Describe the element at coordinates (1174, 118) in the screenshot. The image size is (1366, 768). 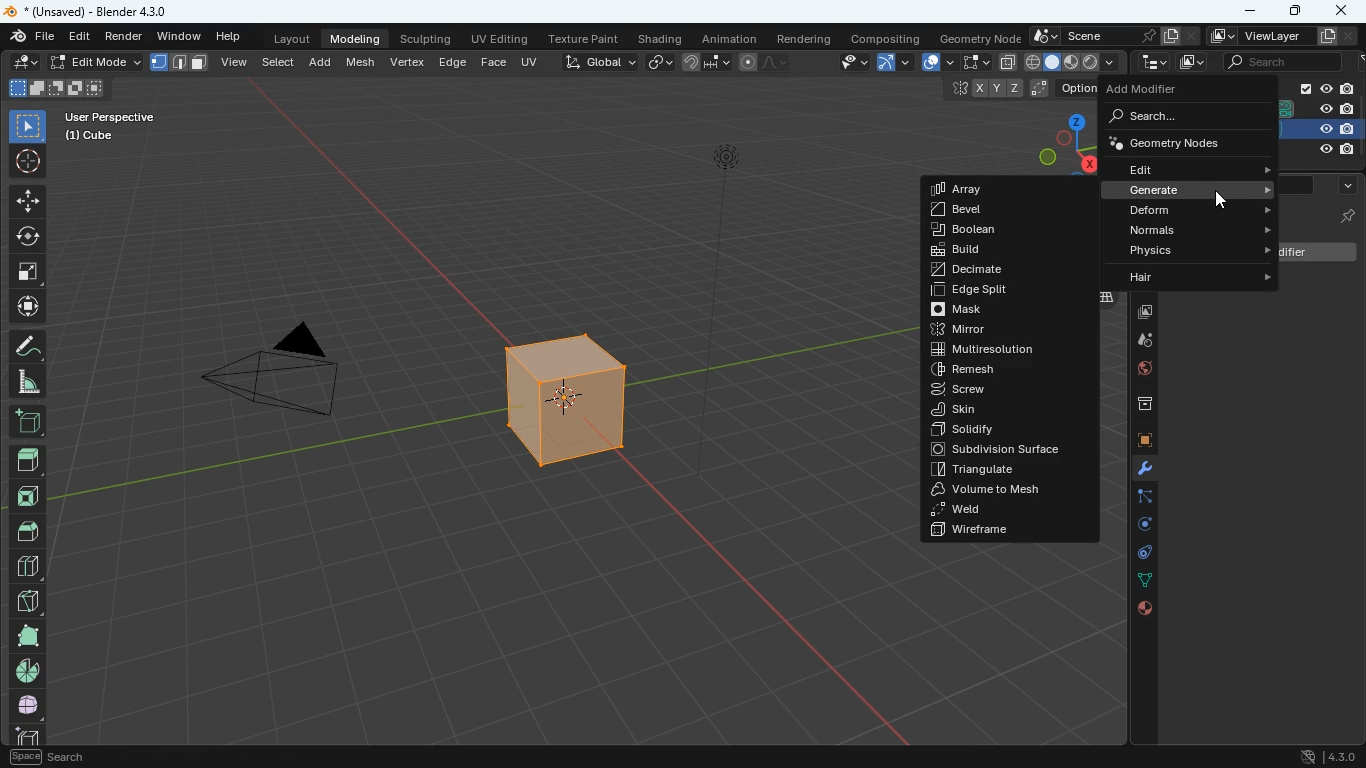
I see `search` at that location.